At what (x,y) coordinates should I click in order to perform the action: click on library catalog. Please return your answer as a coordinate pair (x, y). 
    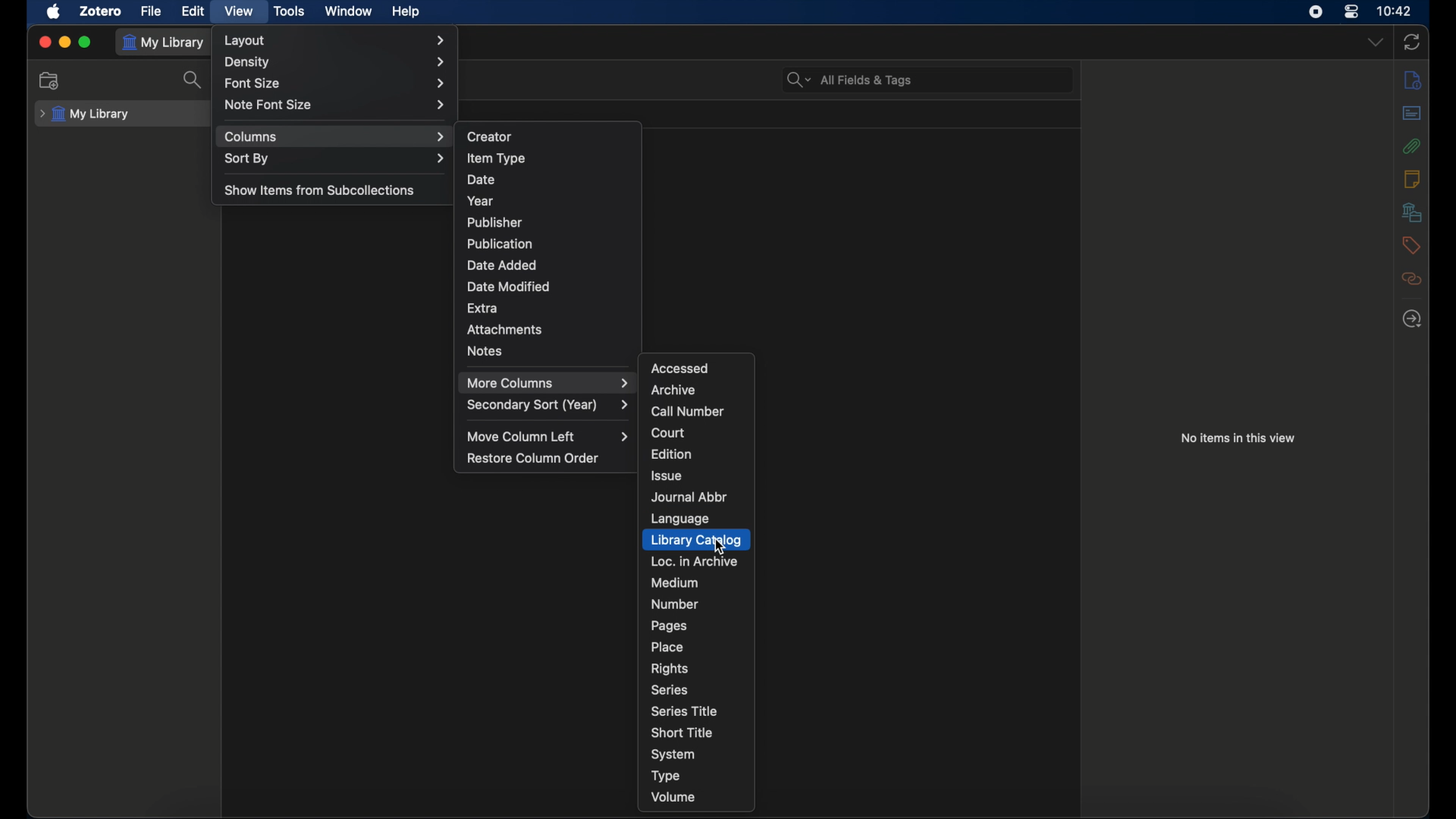
    Looking at the image, I should click on (695, 540).